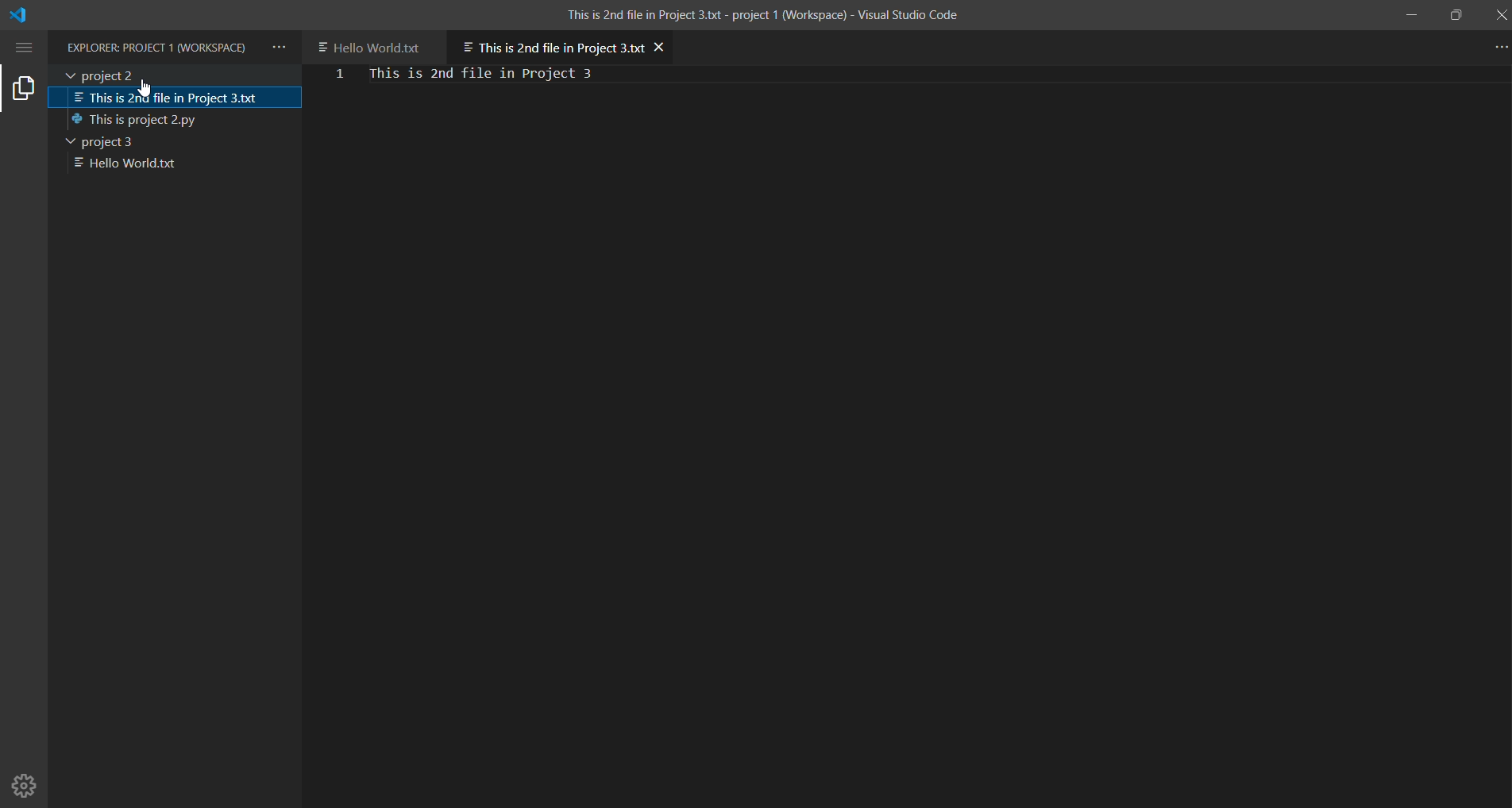 This screenshot has height=808, width=1512. What do you see at coordinates (1499, 14) in the screenshot?
I see `close` at bounding box center [1499, 14].